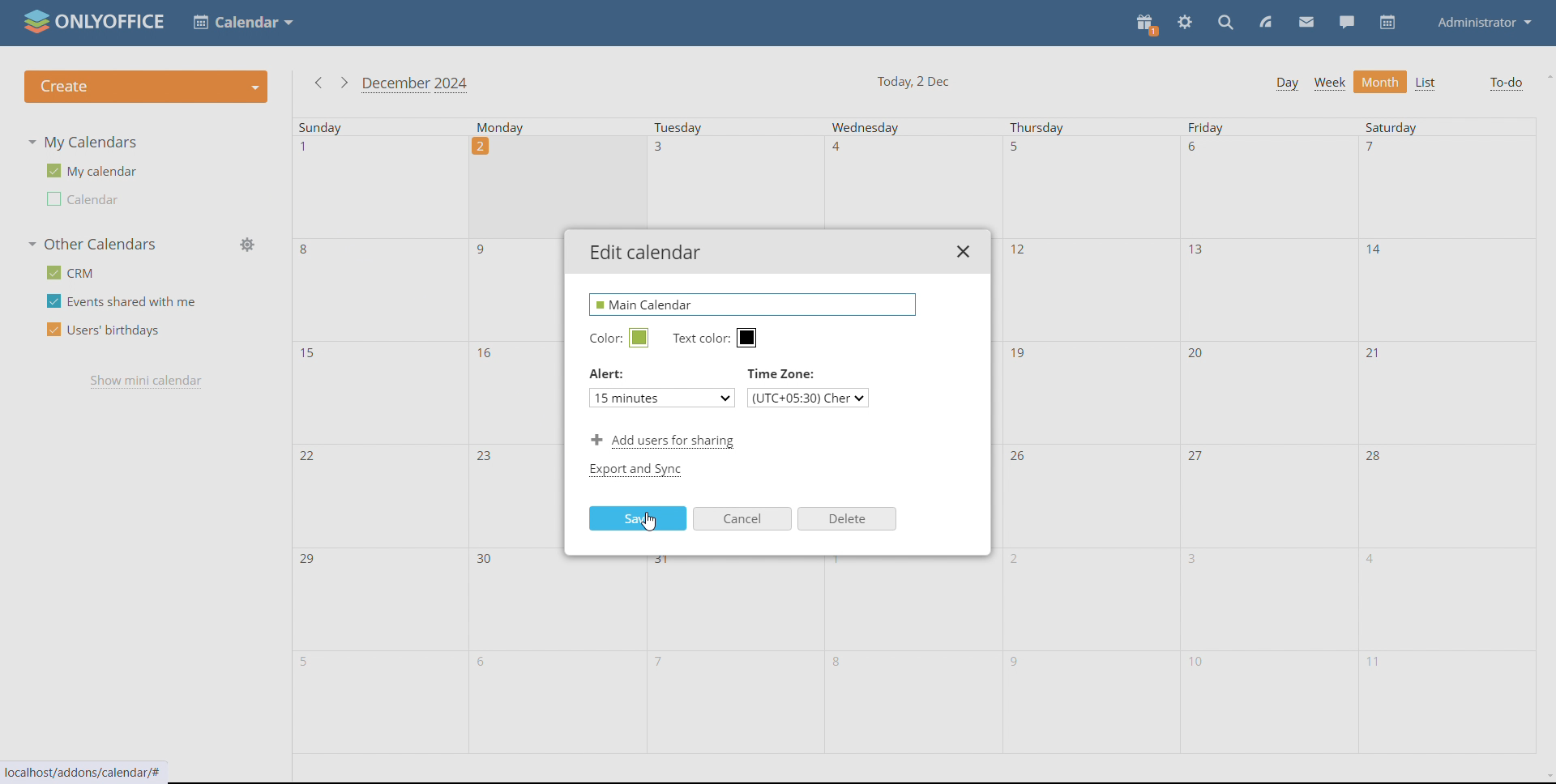 The image size is (1556, 784). Describe the element at coordinates (809, 397) in the screenshot. I see `select timezone` at that location.